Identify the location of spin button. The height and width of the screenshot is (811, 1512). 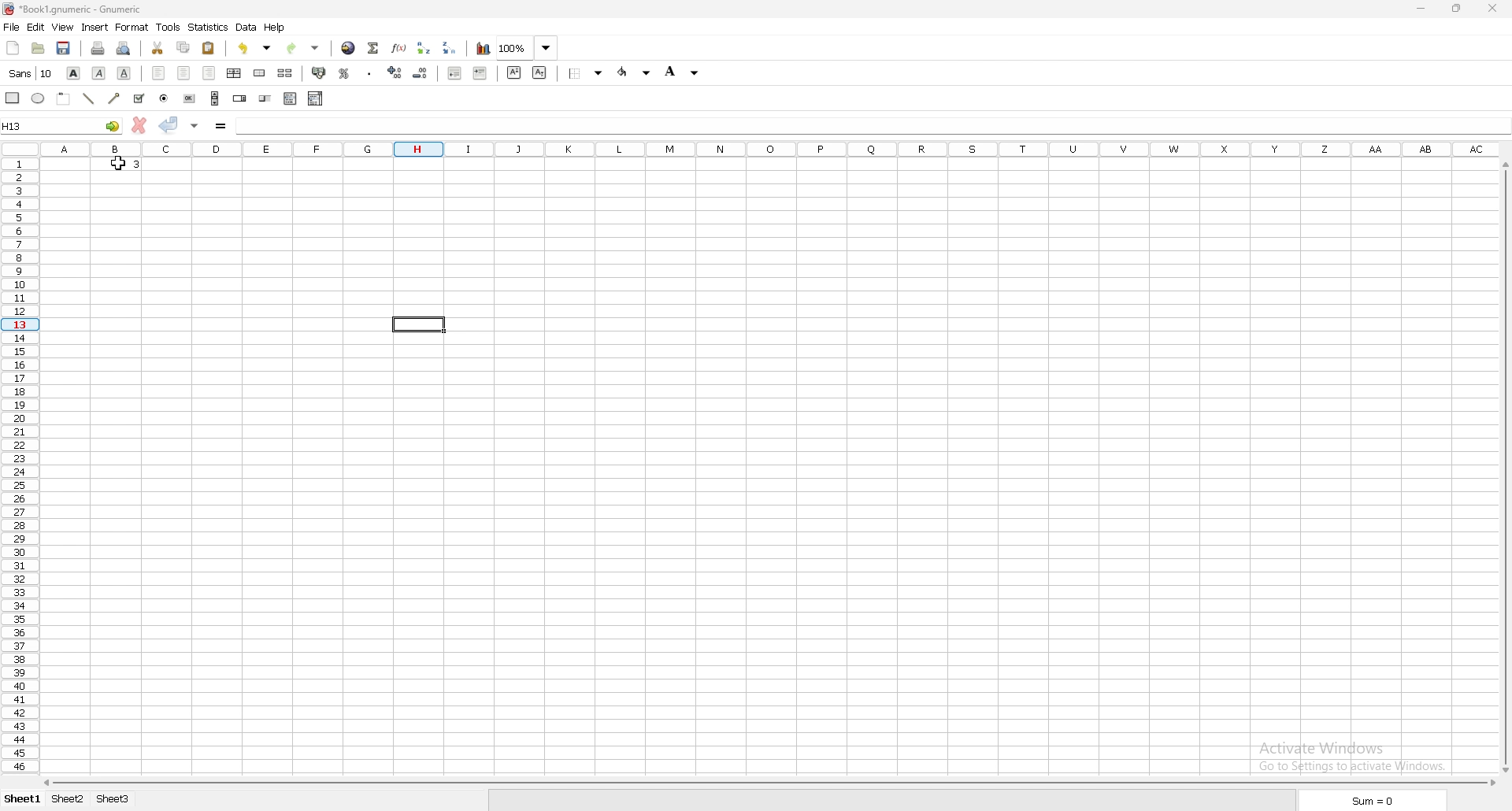
(240, 98).